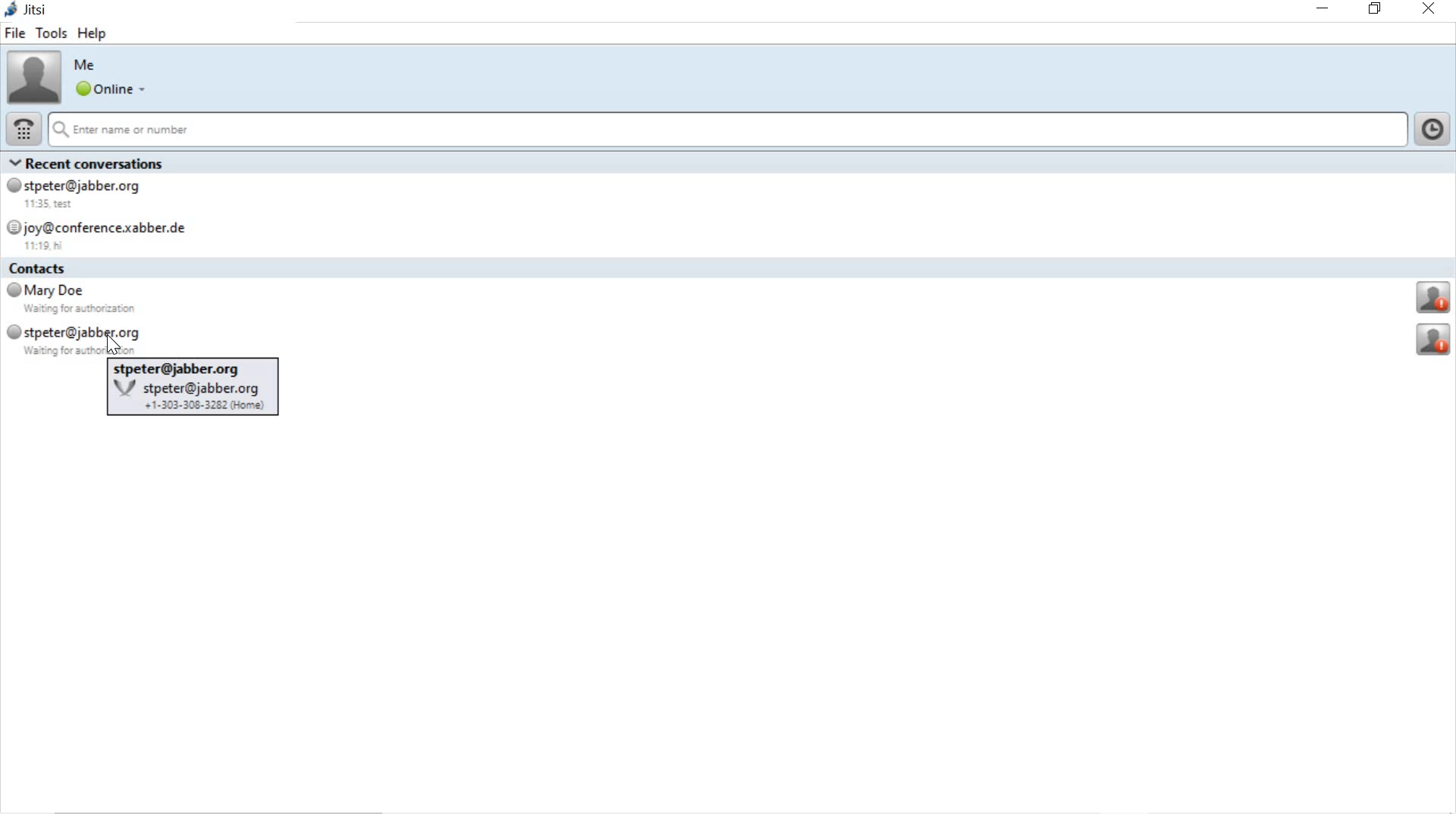  I want to click on Profile, so click(1432, 299).